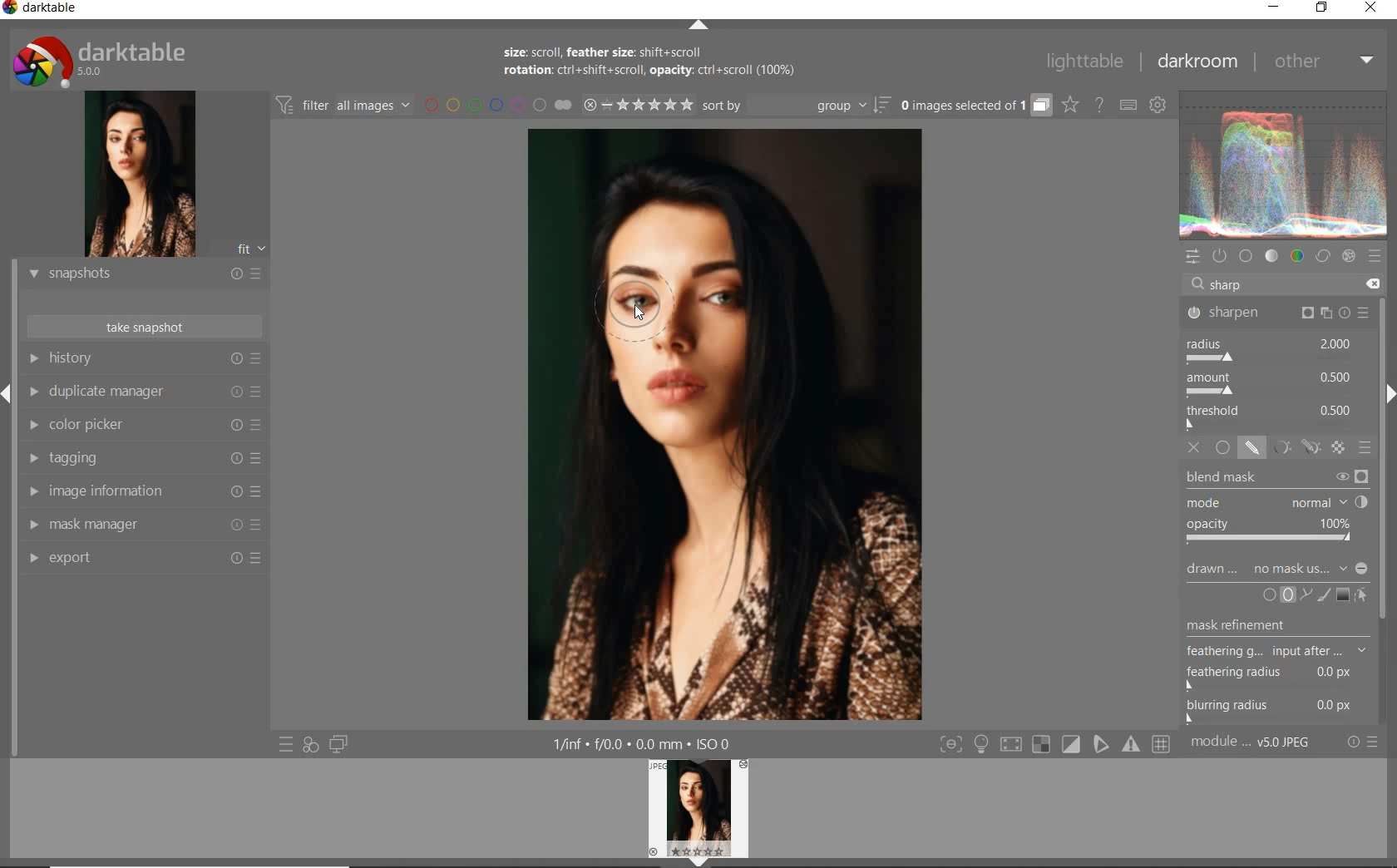  I want to click on dropdown, so click(1343, 568).